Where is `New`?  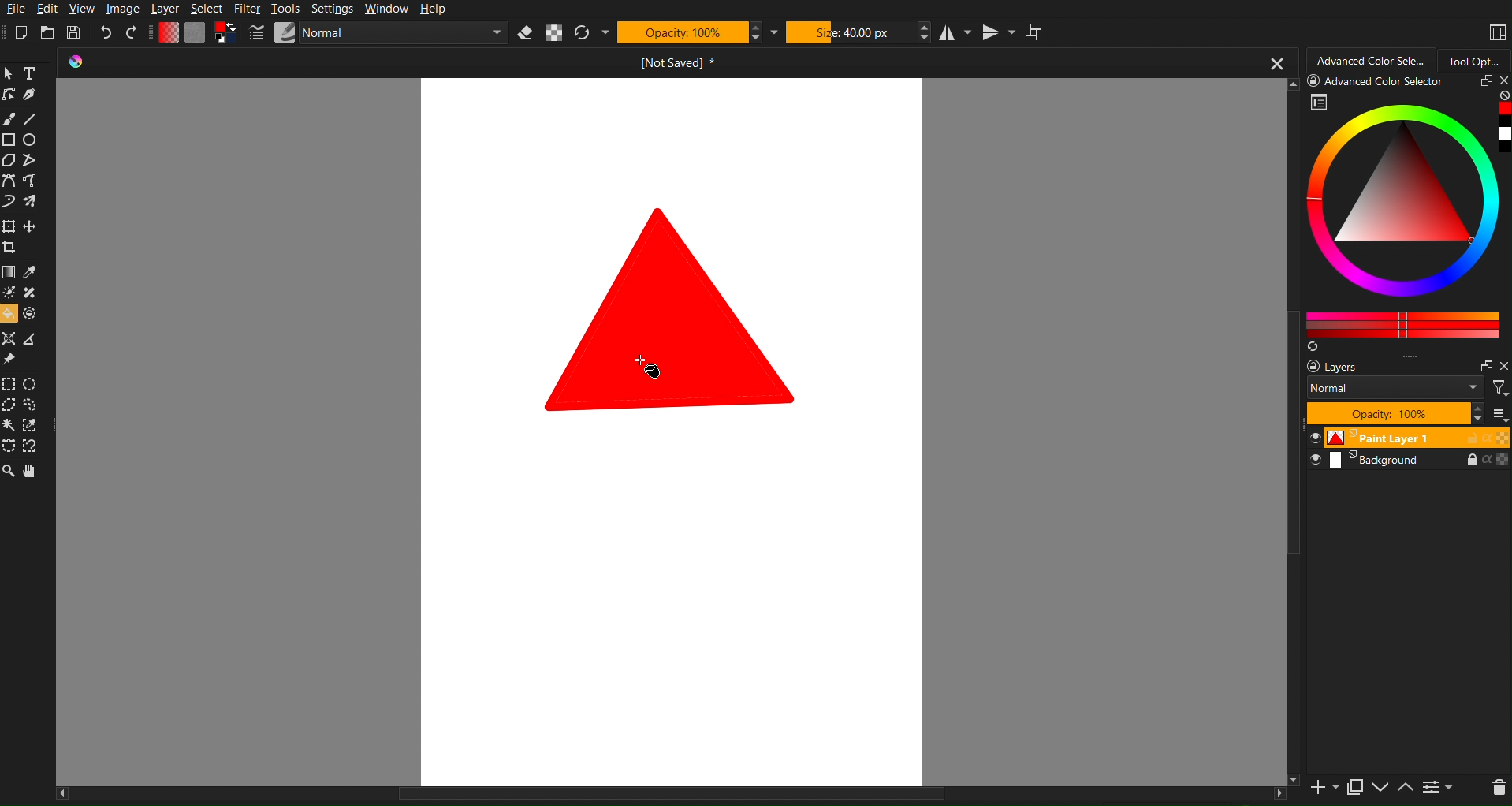 New is located at coordinates (21, 32).